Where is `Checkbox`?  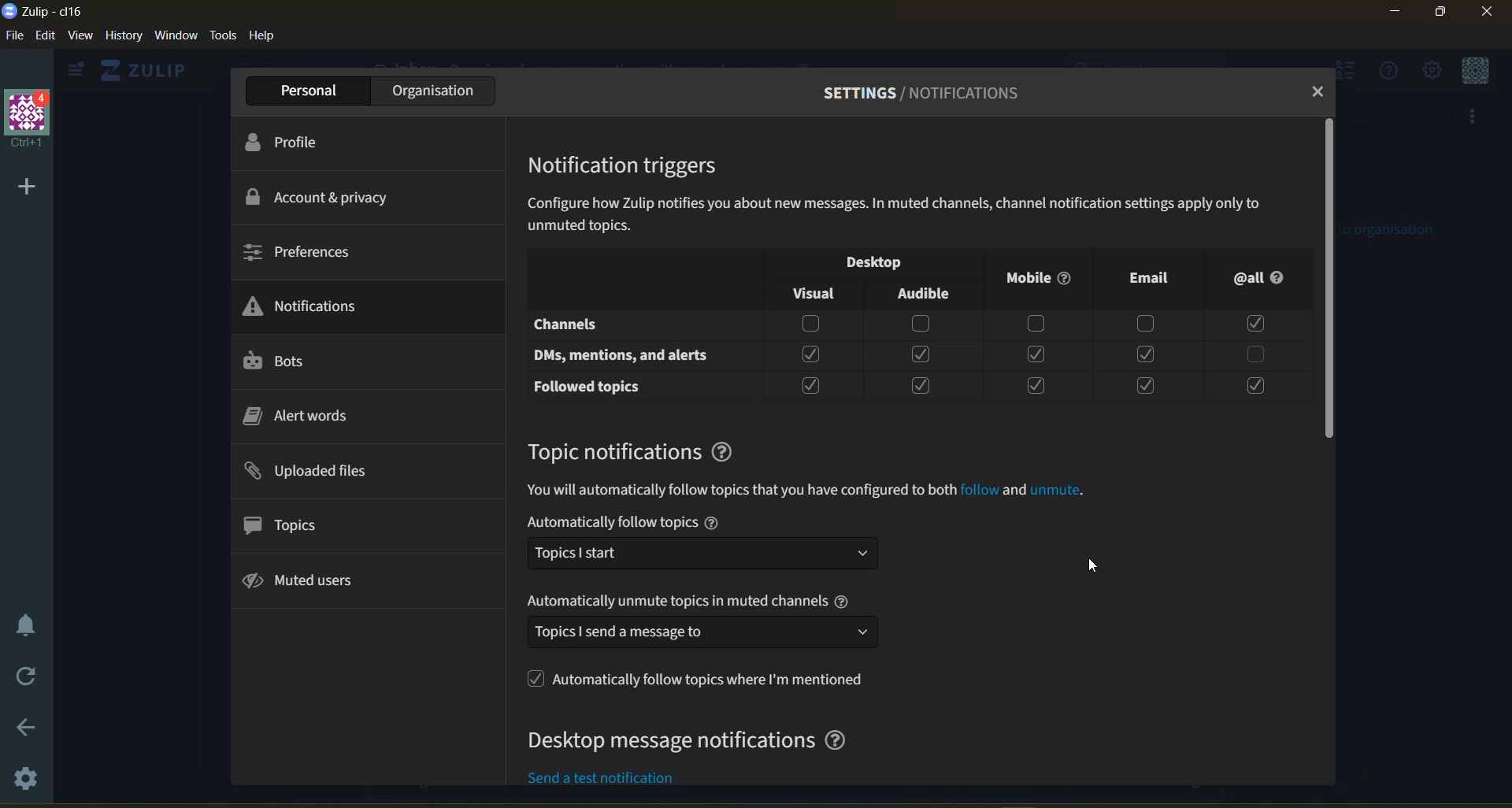
Checkbox is located at coordinates (1148, 324).